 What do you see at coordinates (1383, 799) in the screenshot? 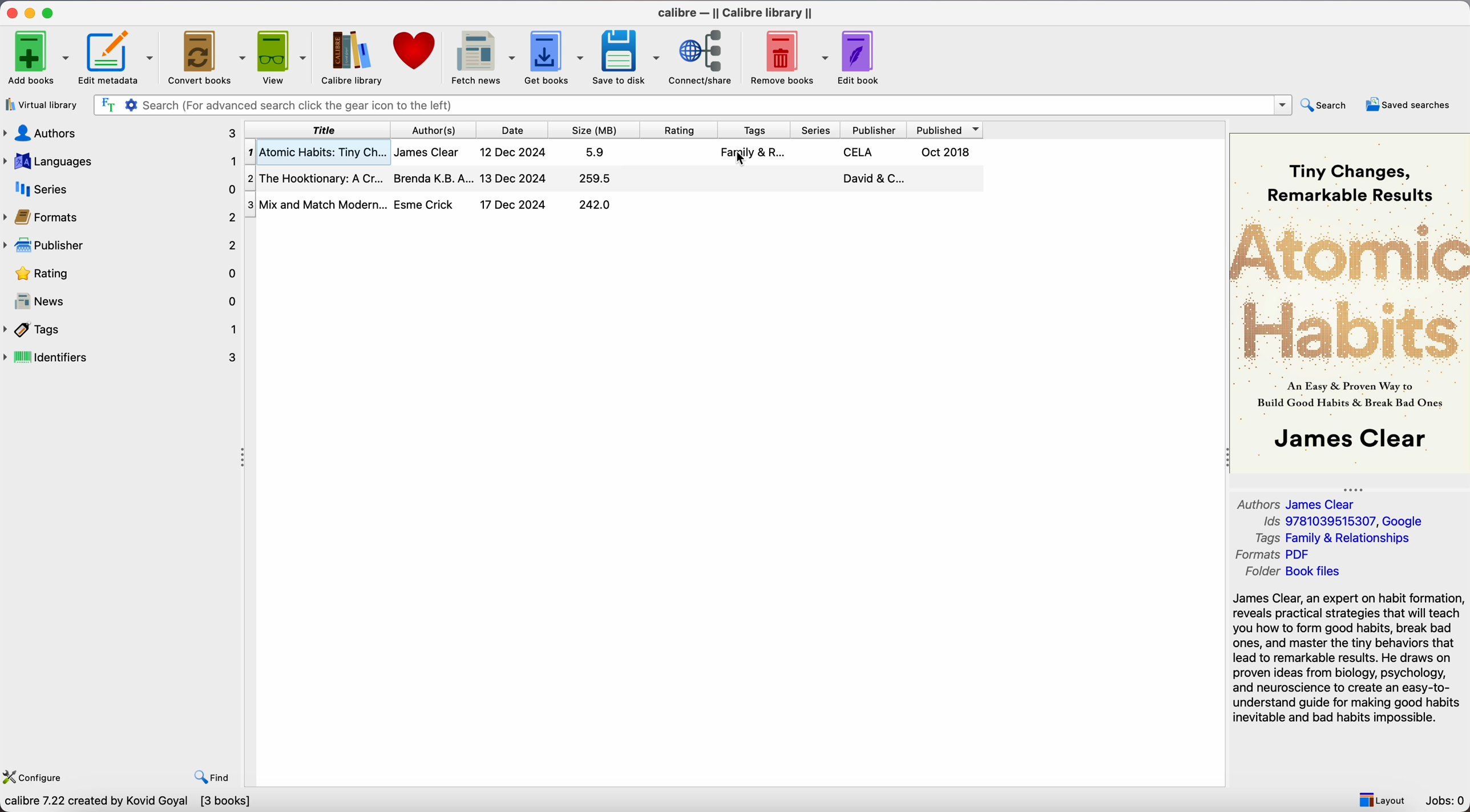
I see `layout` at bounding box center [1383, 799].